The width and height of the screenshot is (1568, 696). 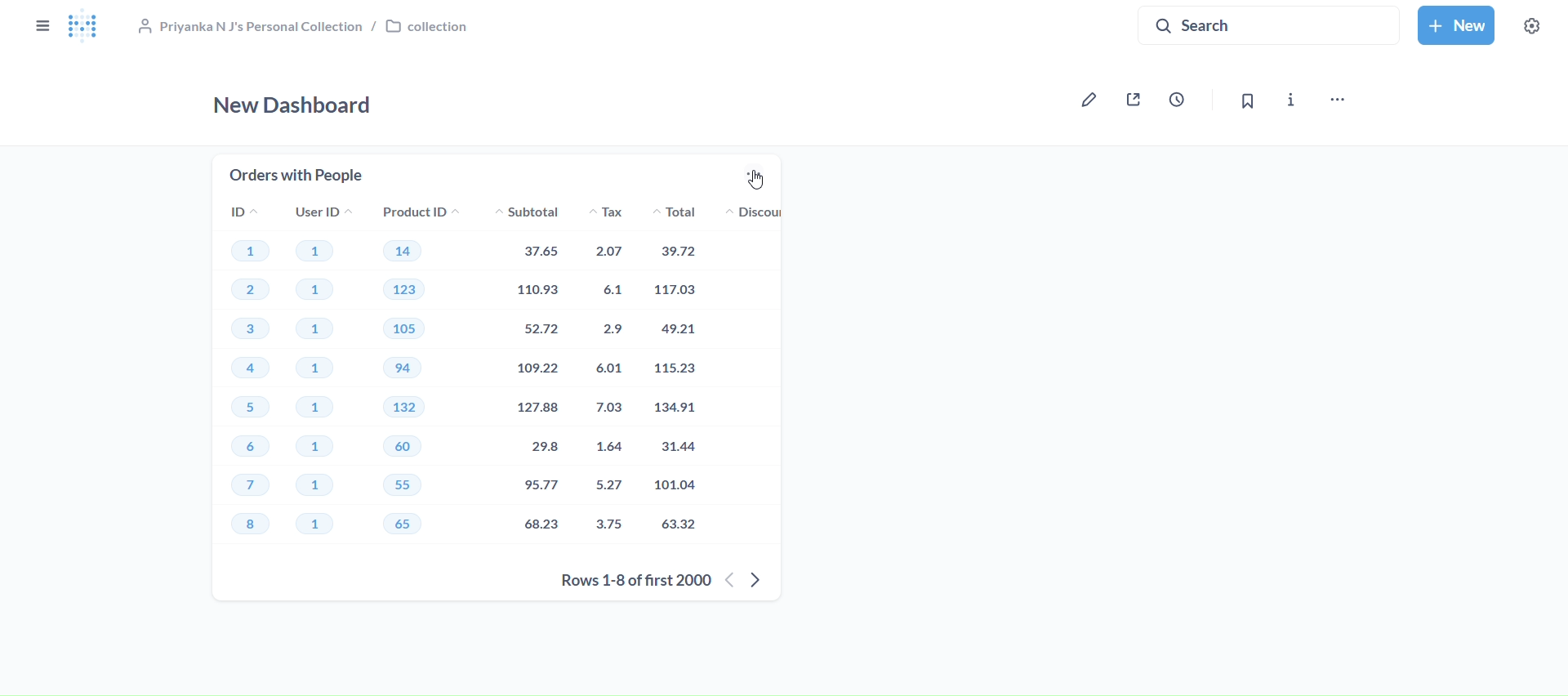 I want to click on more, so click(x=759, y=177).